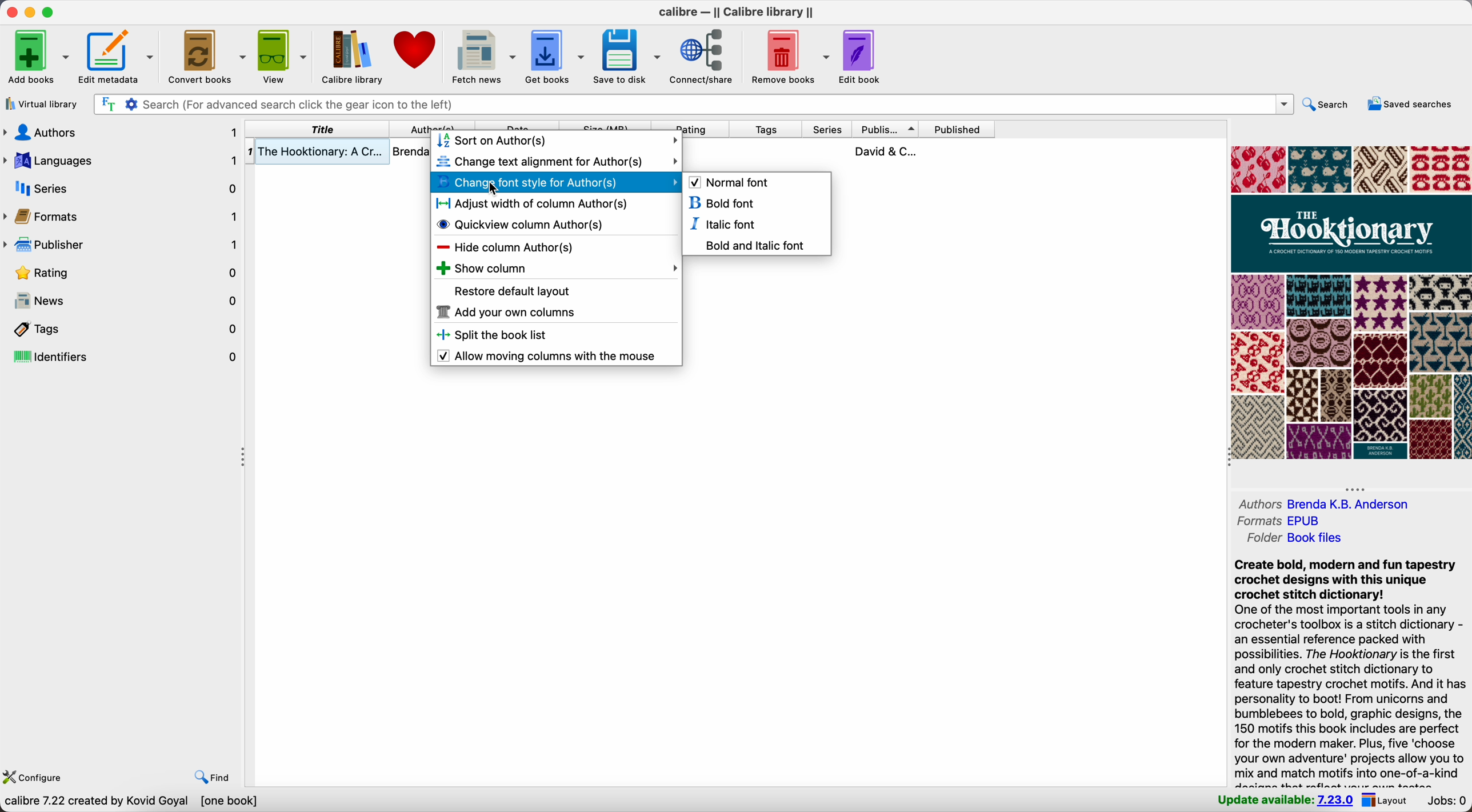 The height and width of the screenshot is (812, 1472). What do you see at coordinates (1282, 801) in the screenshot?
I see `update available` at bounding box center [1282, 801].